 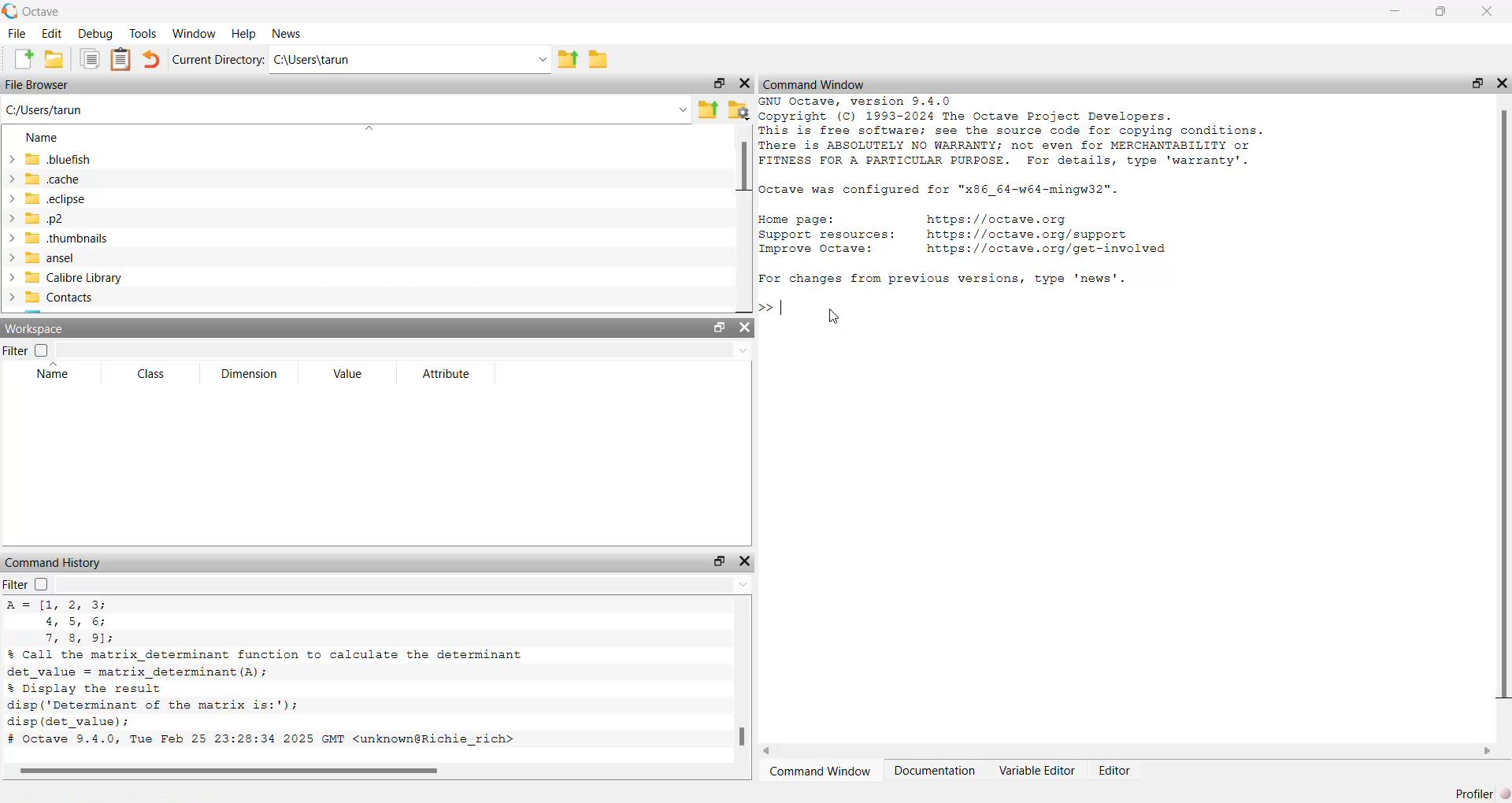 What do you see at coordinates (50, 374) in the screenshot?
I see `name` at bounding box center [50, 374].